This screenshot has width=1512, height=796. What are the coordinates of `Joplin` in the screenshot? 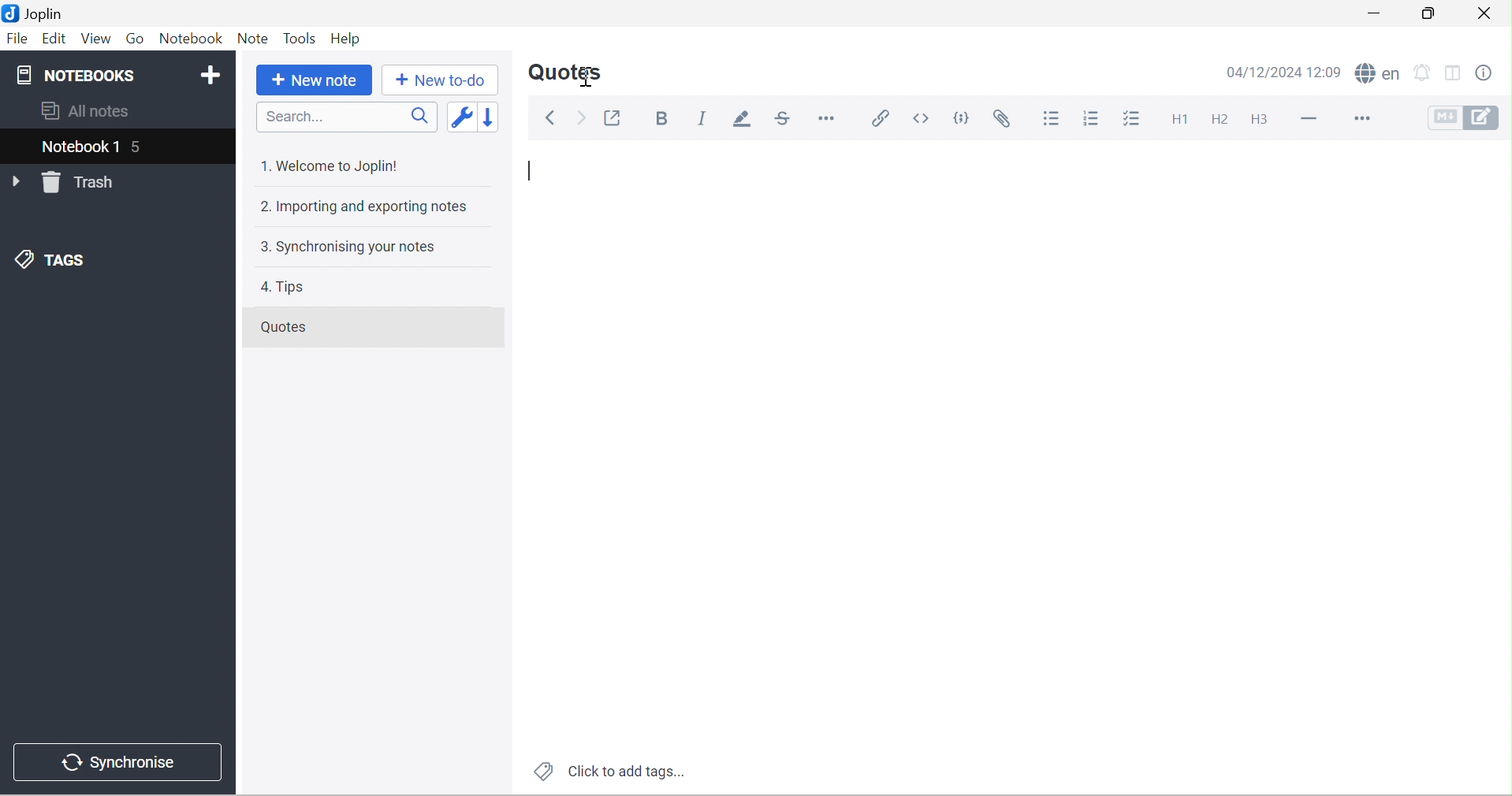 It's located at (39, 13).